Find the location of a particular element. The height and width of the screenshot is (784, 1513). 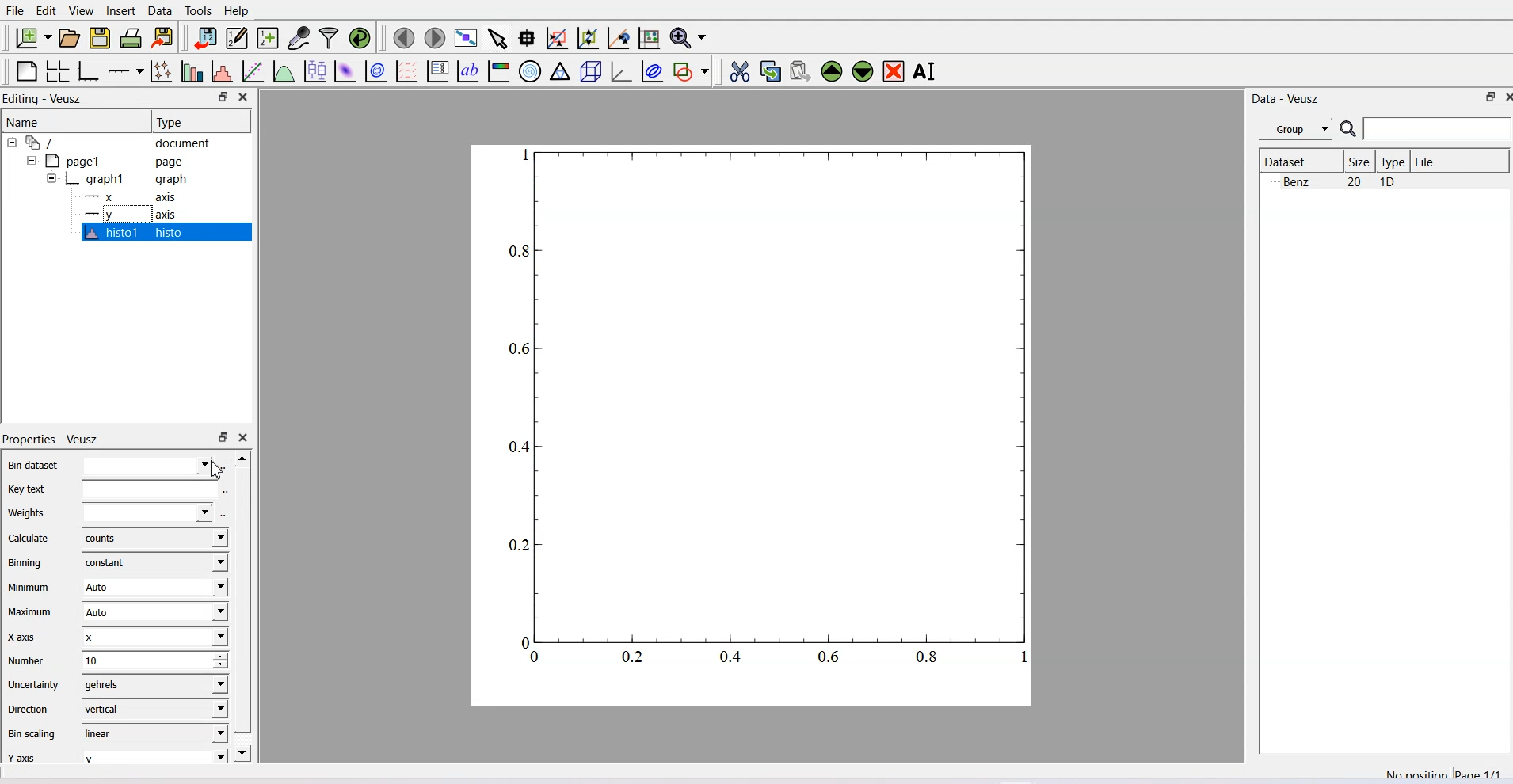

Cut the selected widget is located at coordinates (741, 71).